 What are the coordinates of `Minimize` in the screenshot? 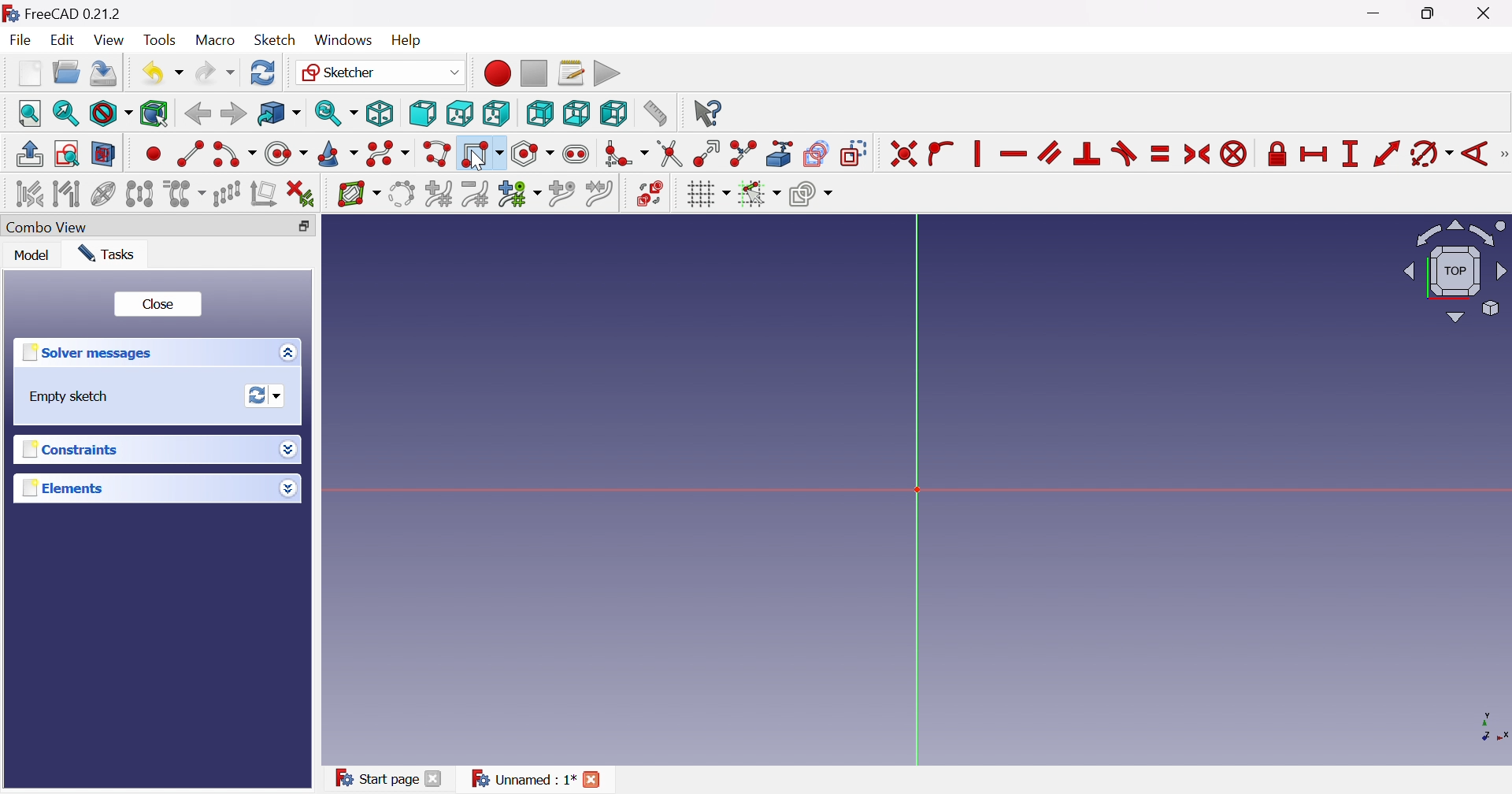 It's located at (1379, 13).